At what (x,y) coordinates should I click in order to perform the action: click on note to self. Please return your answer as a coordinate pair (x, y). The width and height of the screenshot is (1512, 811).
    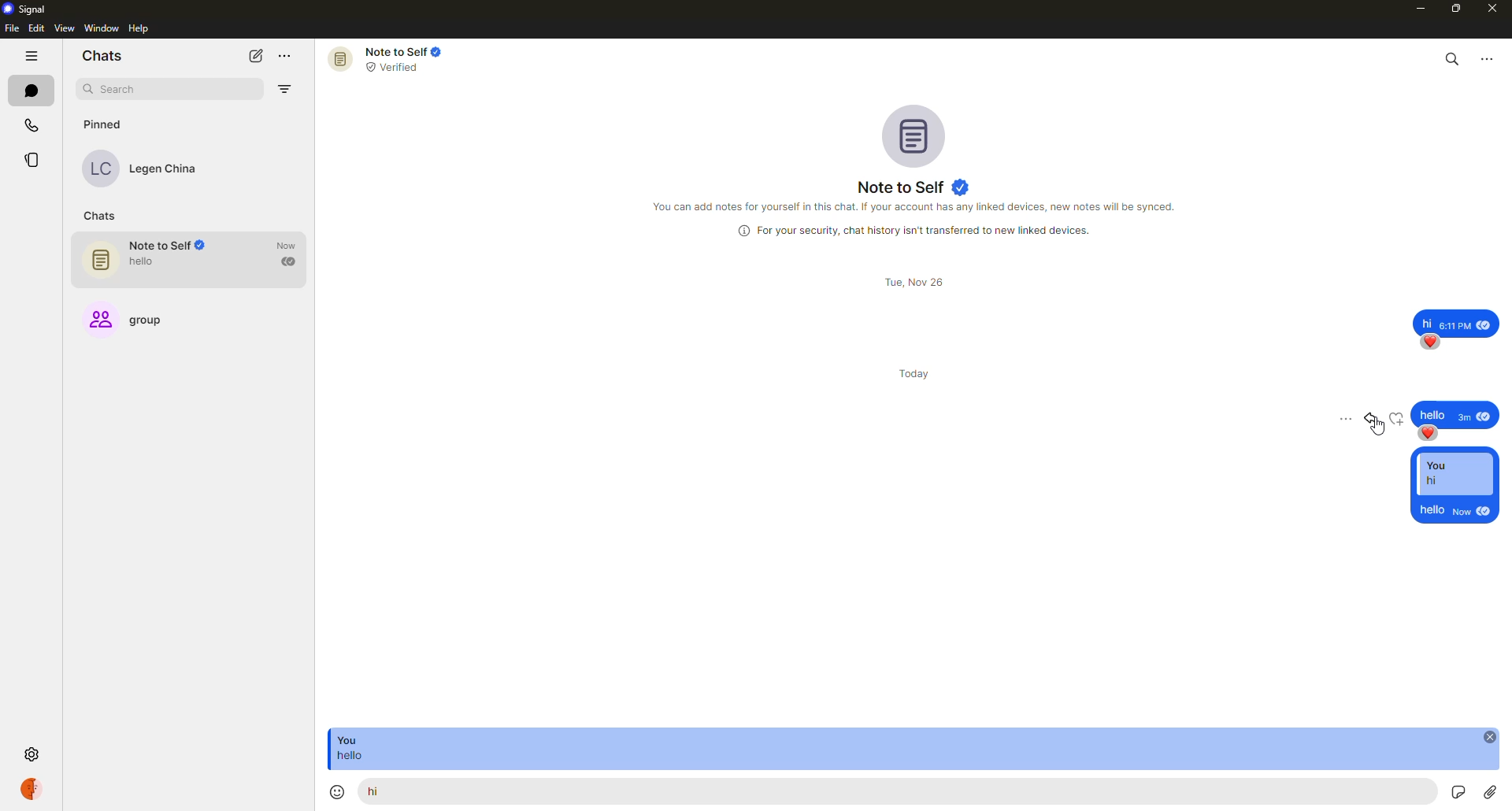
    Looking at the image, I should click on (196, 261).